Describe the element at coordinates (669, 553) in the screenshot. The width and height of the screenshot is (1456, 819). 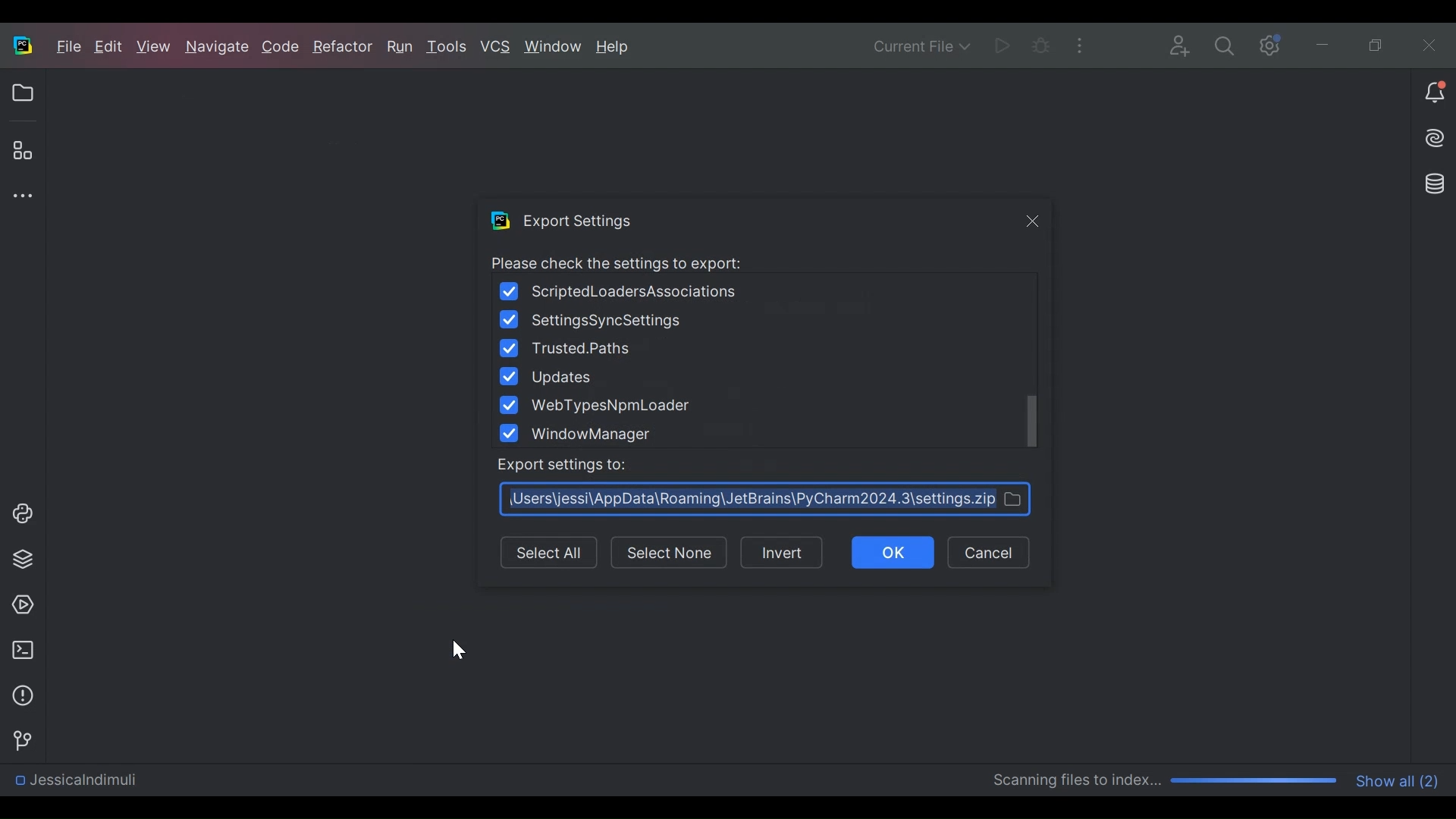
I see `Select None` at that location.